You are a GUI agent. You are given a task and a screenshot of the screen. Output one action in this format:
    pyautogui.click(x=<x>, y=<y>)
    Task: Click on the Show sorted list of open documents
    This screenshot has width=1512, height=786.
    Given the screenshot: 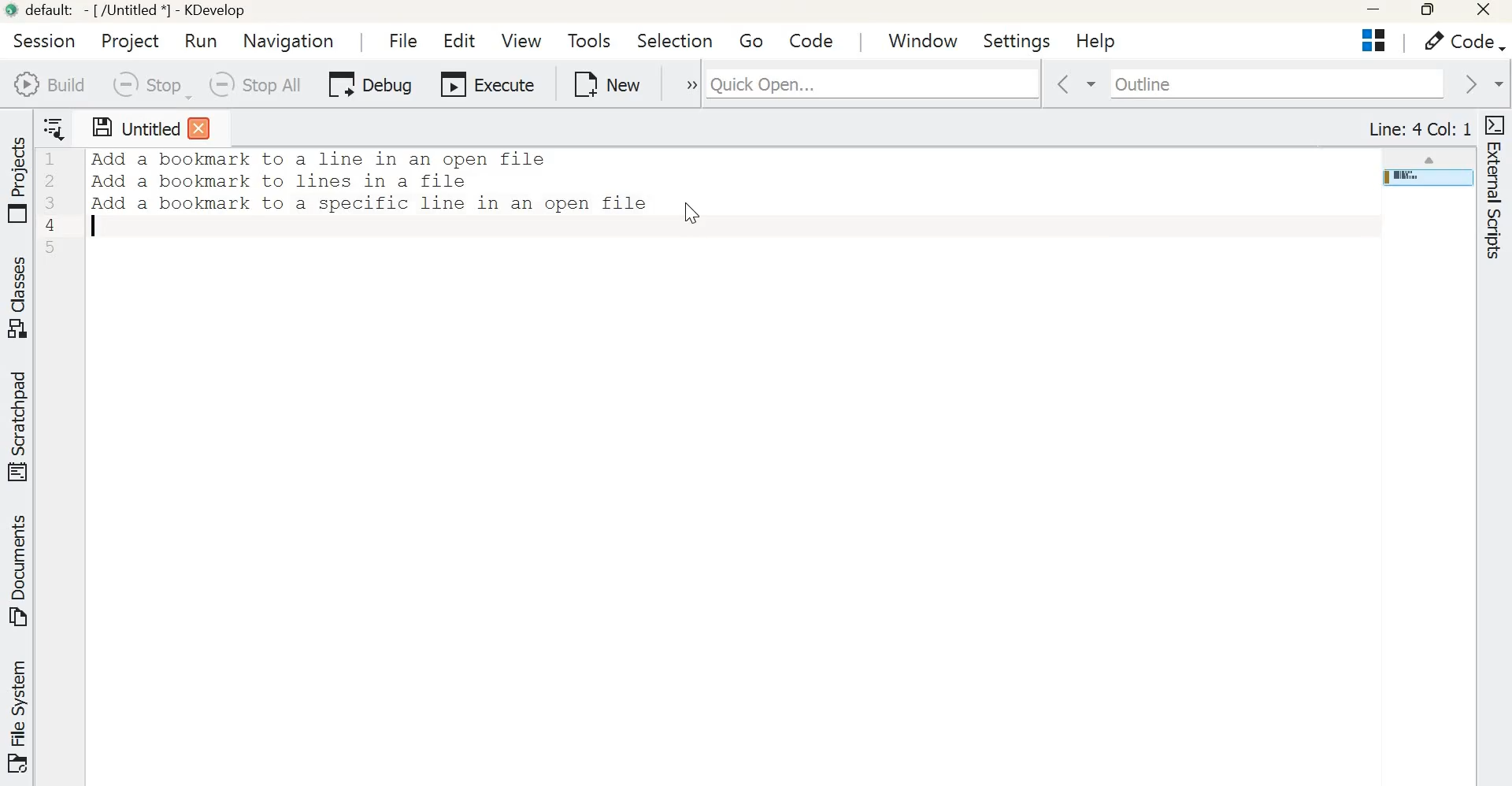 What is the action you would take?
    pyautogui.click(x=58, y=127)
    